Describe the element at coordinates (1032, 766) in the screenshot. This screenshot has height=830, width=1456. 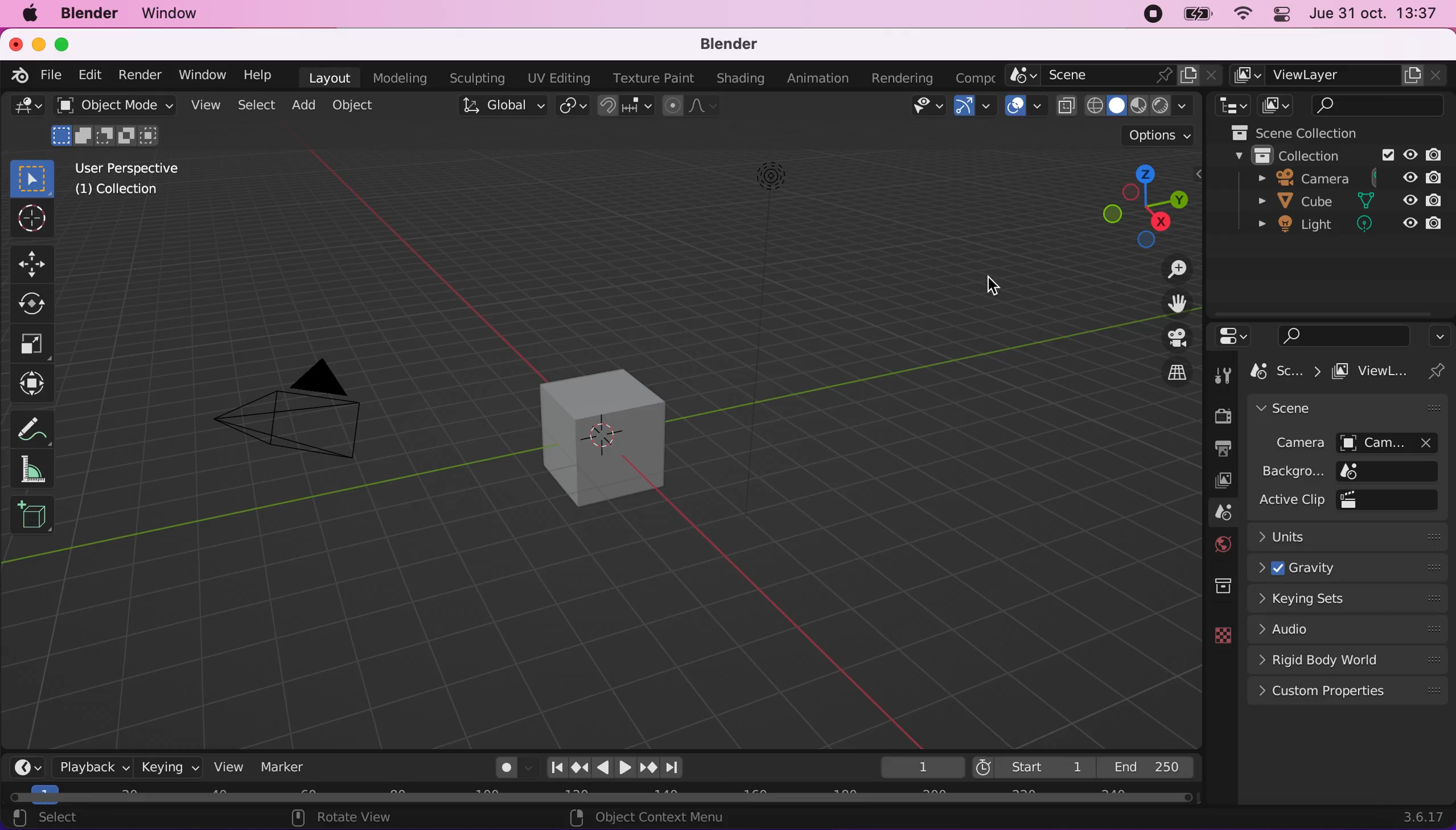
I see `start 1` at that location.